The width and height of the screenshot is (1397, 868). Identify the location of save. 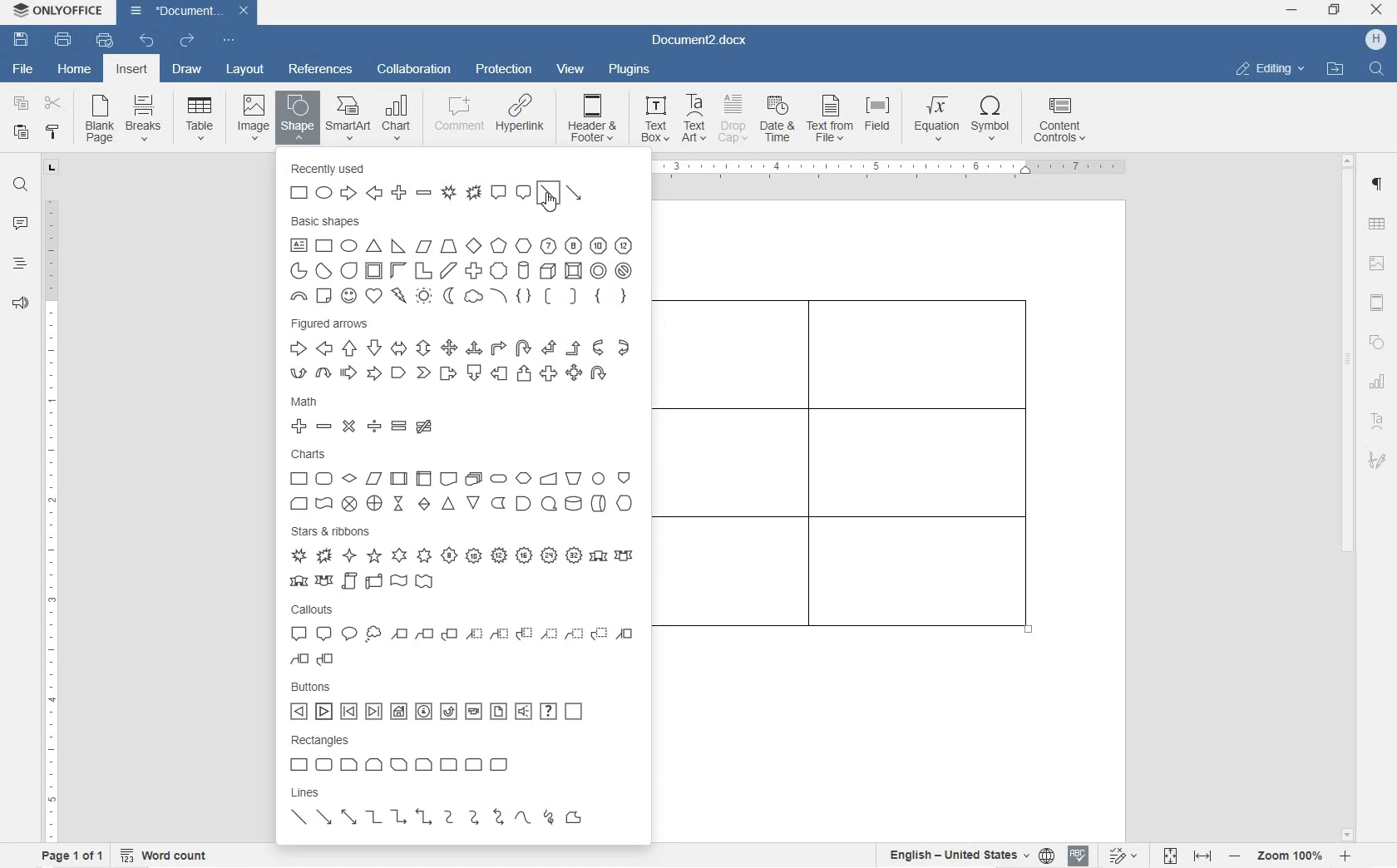
(22, 40).